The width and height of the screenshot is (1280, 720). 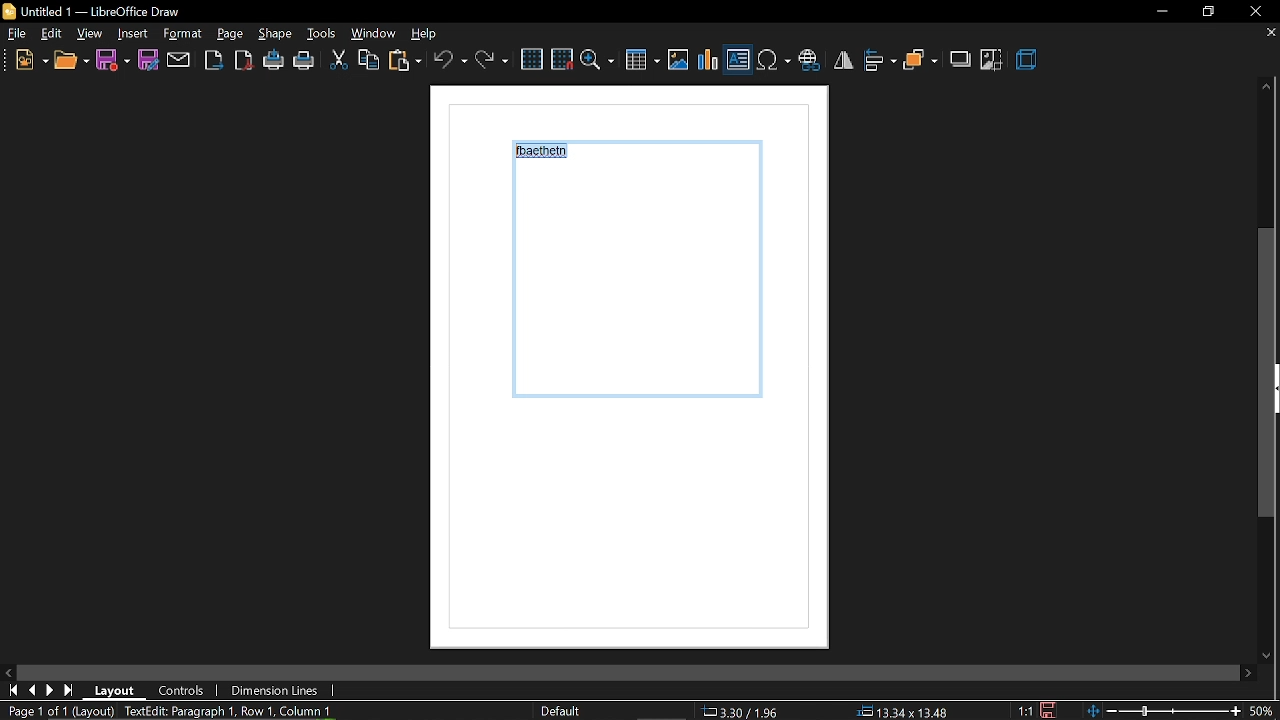 What do you see at coordinates (184, 690) in the screenshot?
I see `controls` at bounding box center [184, 690].